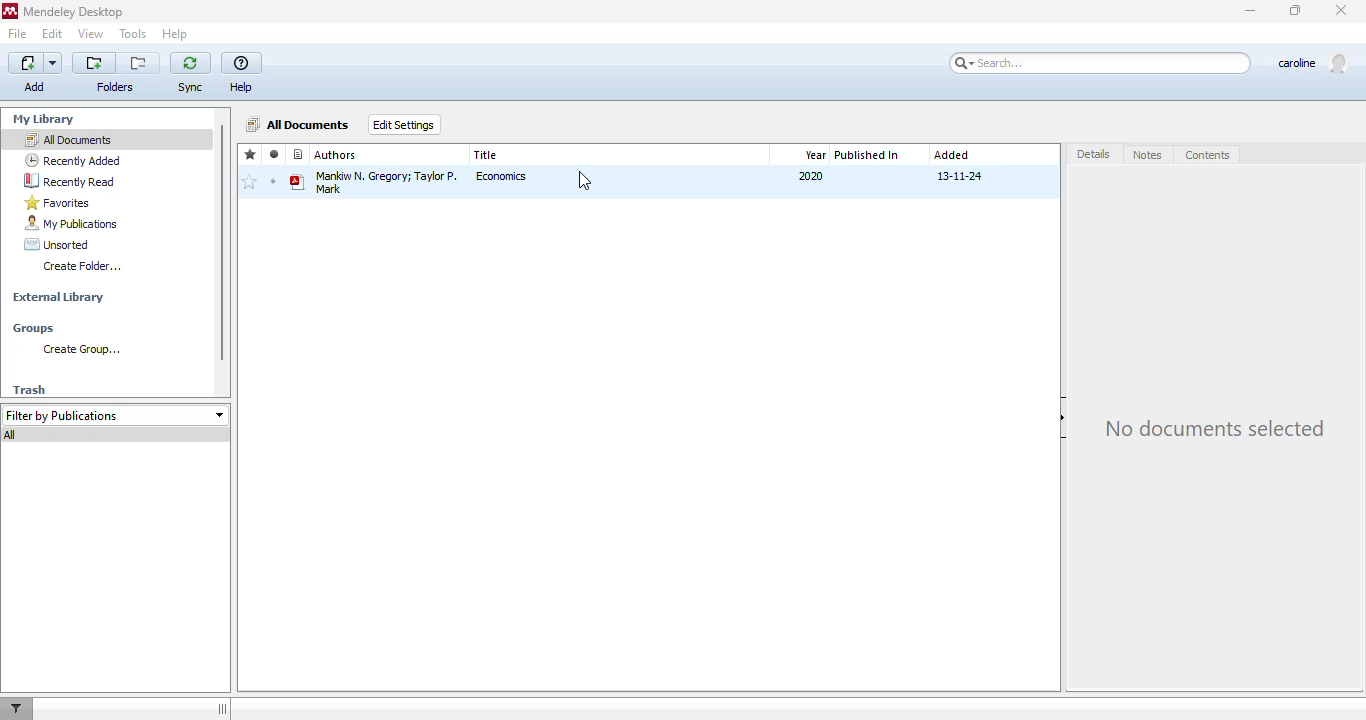 The image size is (1366, 720). What do you see at coordinates (36, 63) in the screenshot?
I see `add` at bounding box center [36, 63].